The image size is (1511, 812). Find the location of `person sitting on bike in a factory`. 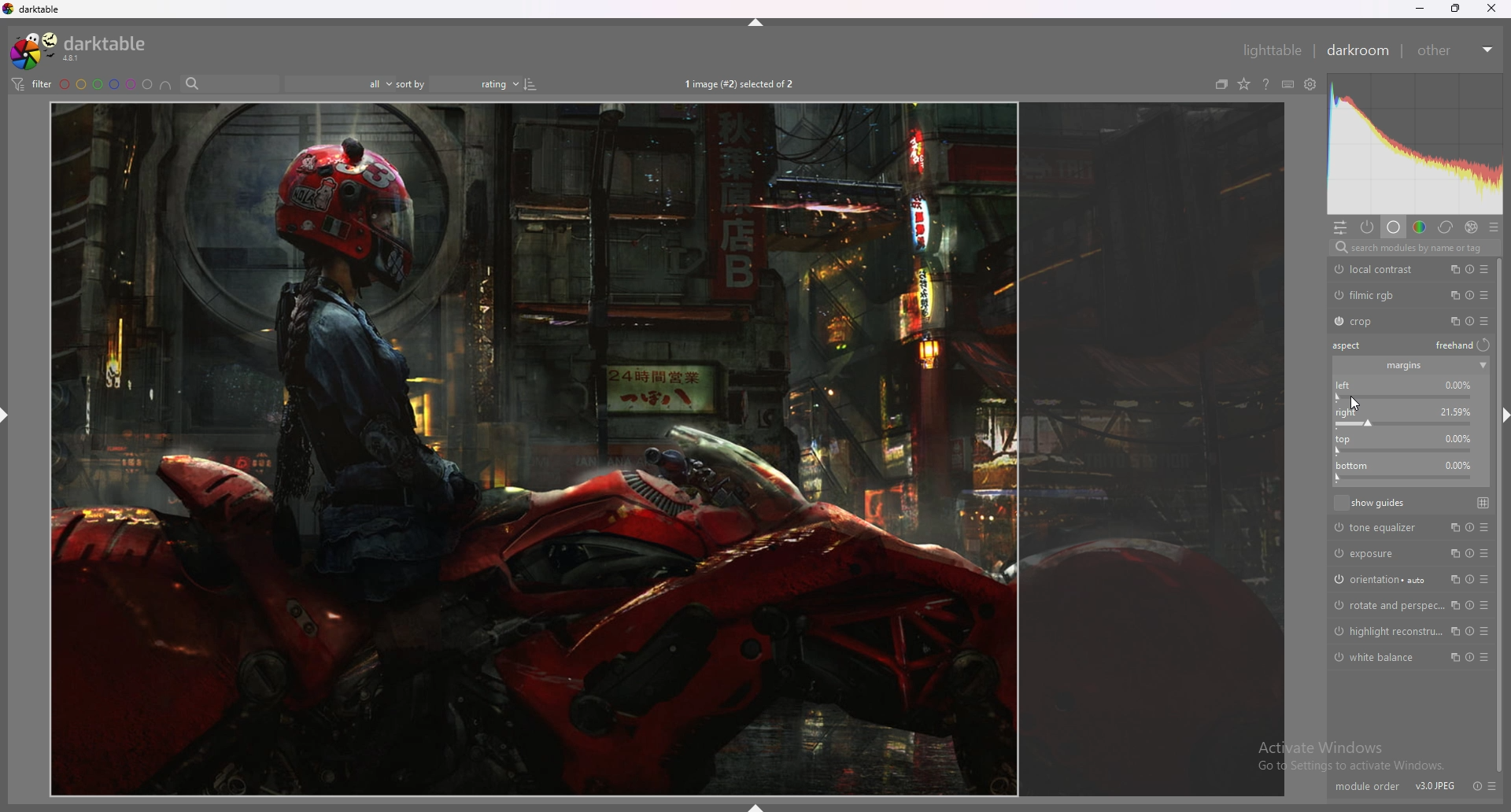

person sitting on bike in a factory is located at coordinates (667, 448).